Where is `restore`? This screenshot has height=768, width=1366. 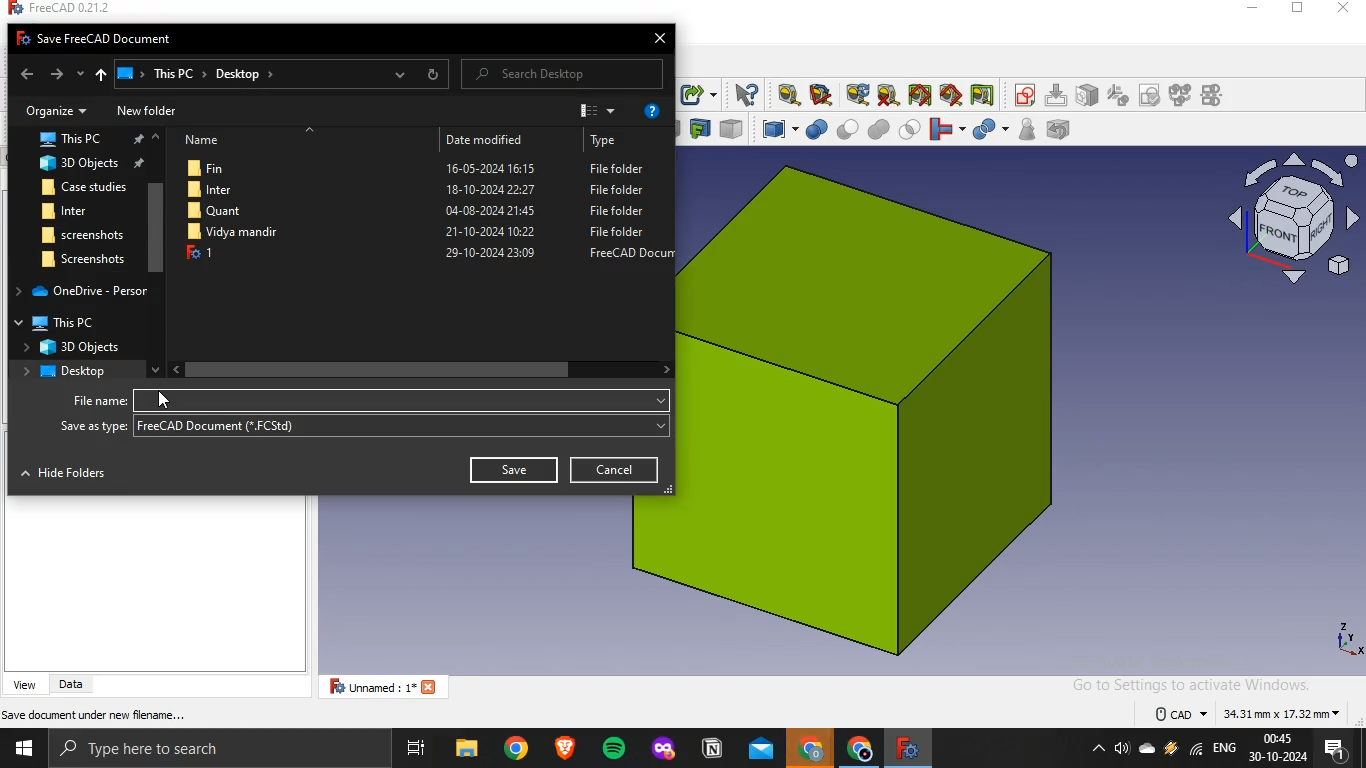 restore is located at coordinates (1296, 8).